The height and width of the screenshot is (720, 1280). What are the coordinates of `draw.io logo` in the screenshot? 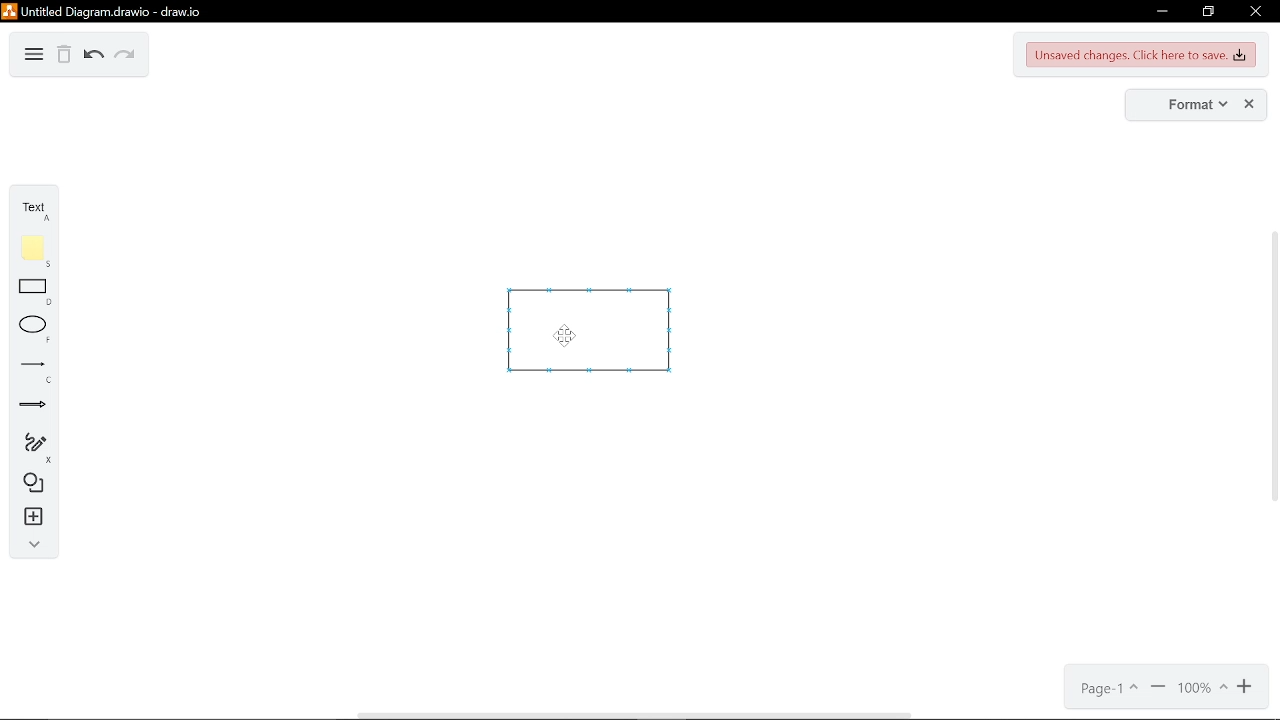 It's located at (10, 12).